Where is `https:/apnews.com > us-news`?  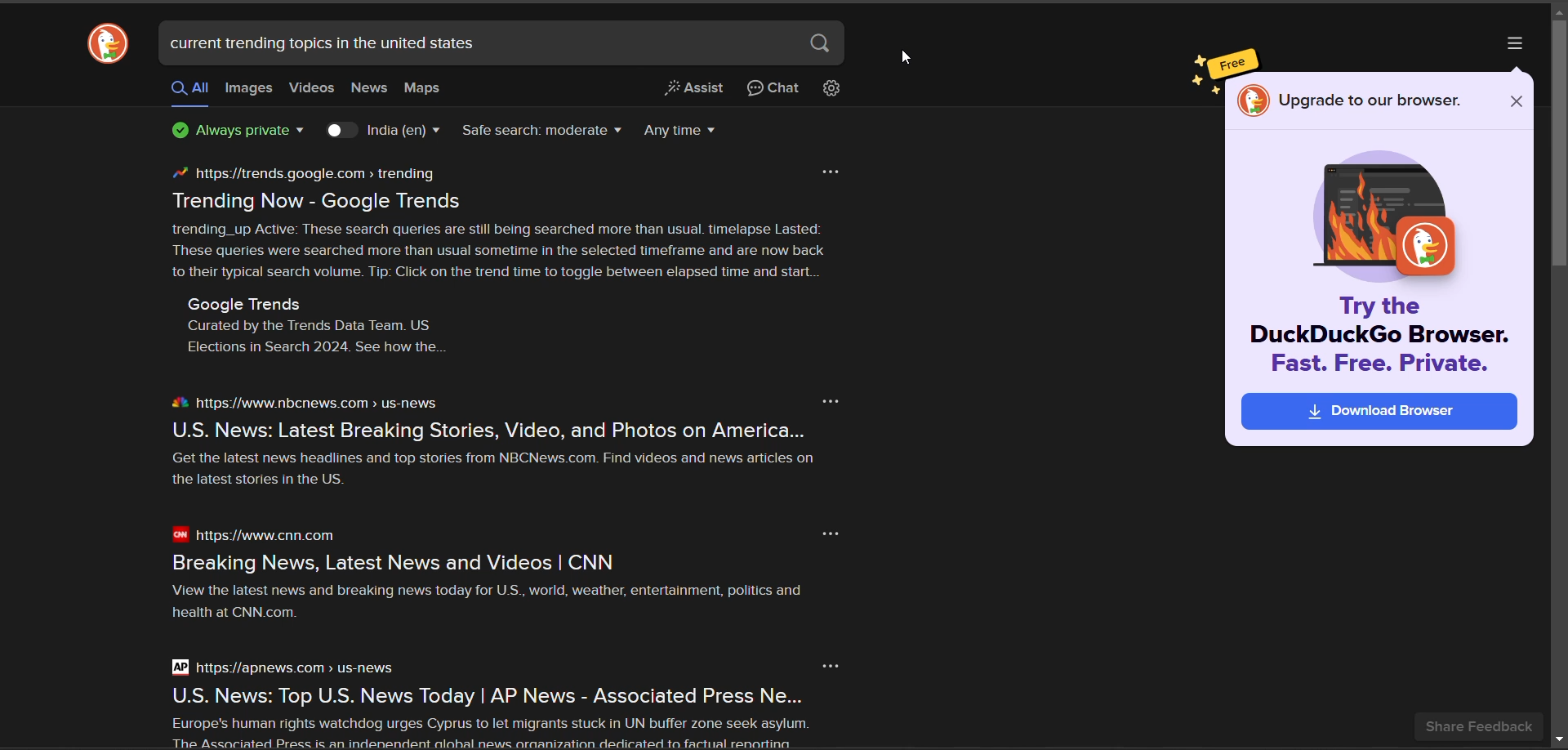
https:/apnews.com > us-news is located at coordinates (282, 663).